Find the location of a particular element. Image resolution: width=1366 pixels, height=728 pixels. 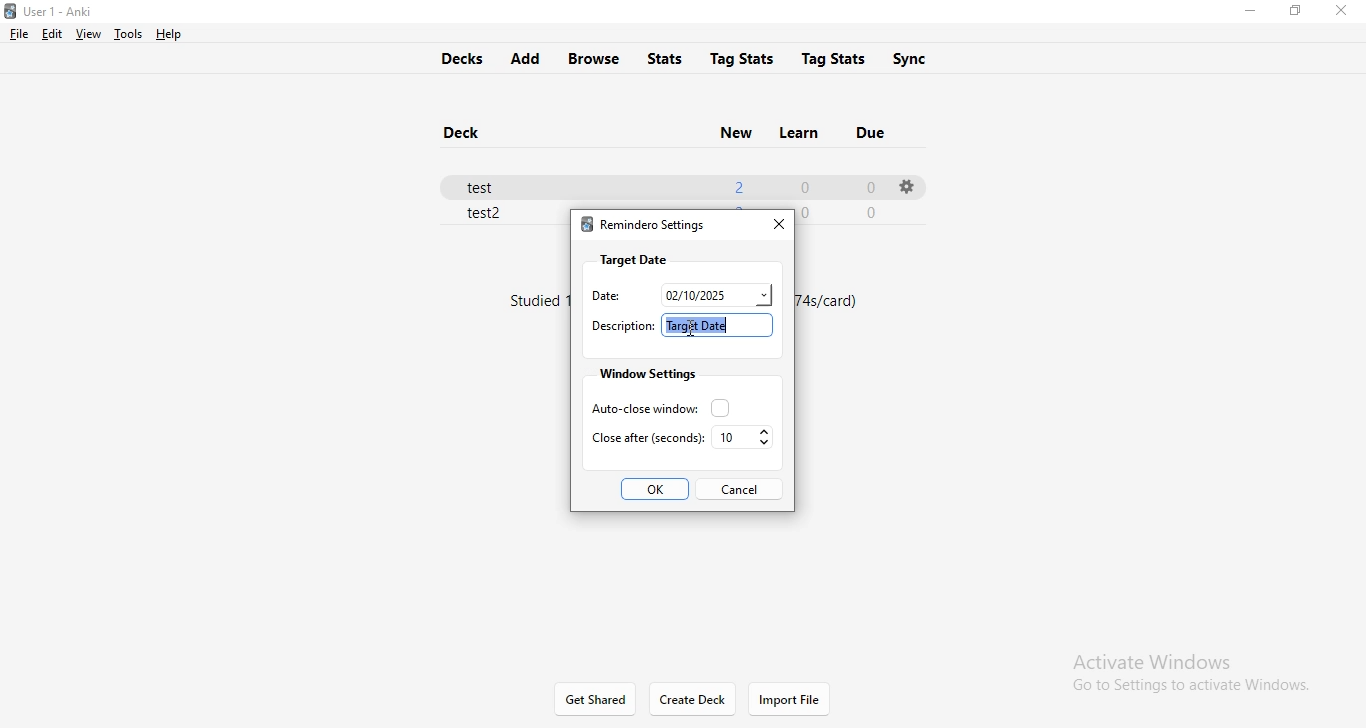

learn is located at coordinates (796, 130).